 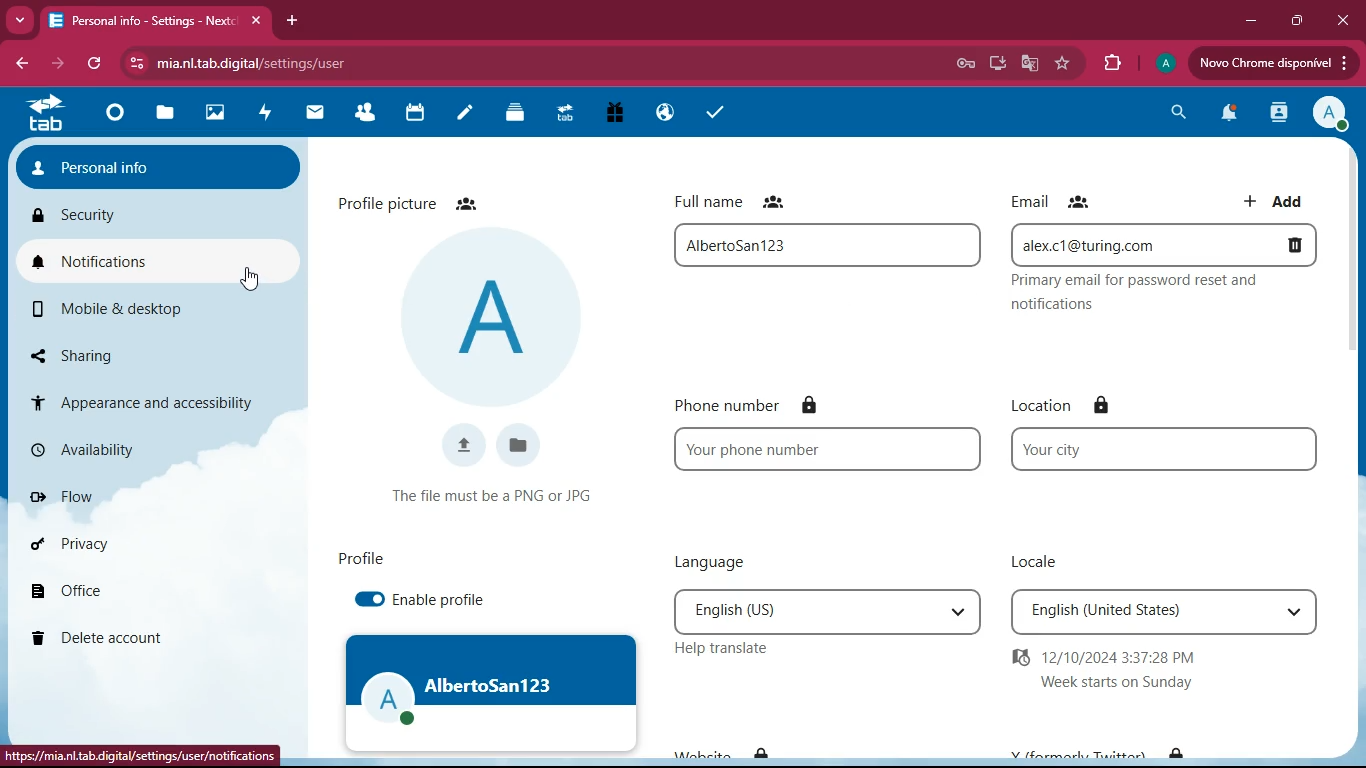 I want to click on full name, so click(x=829, y=249).